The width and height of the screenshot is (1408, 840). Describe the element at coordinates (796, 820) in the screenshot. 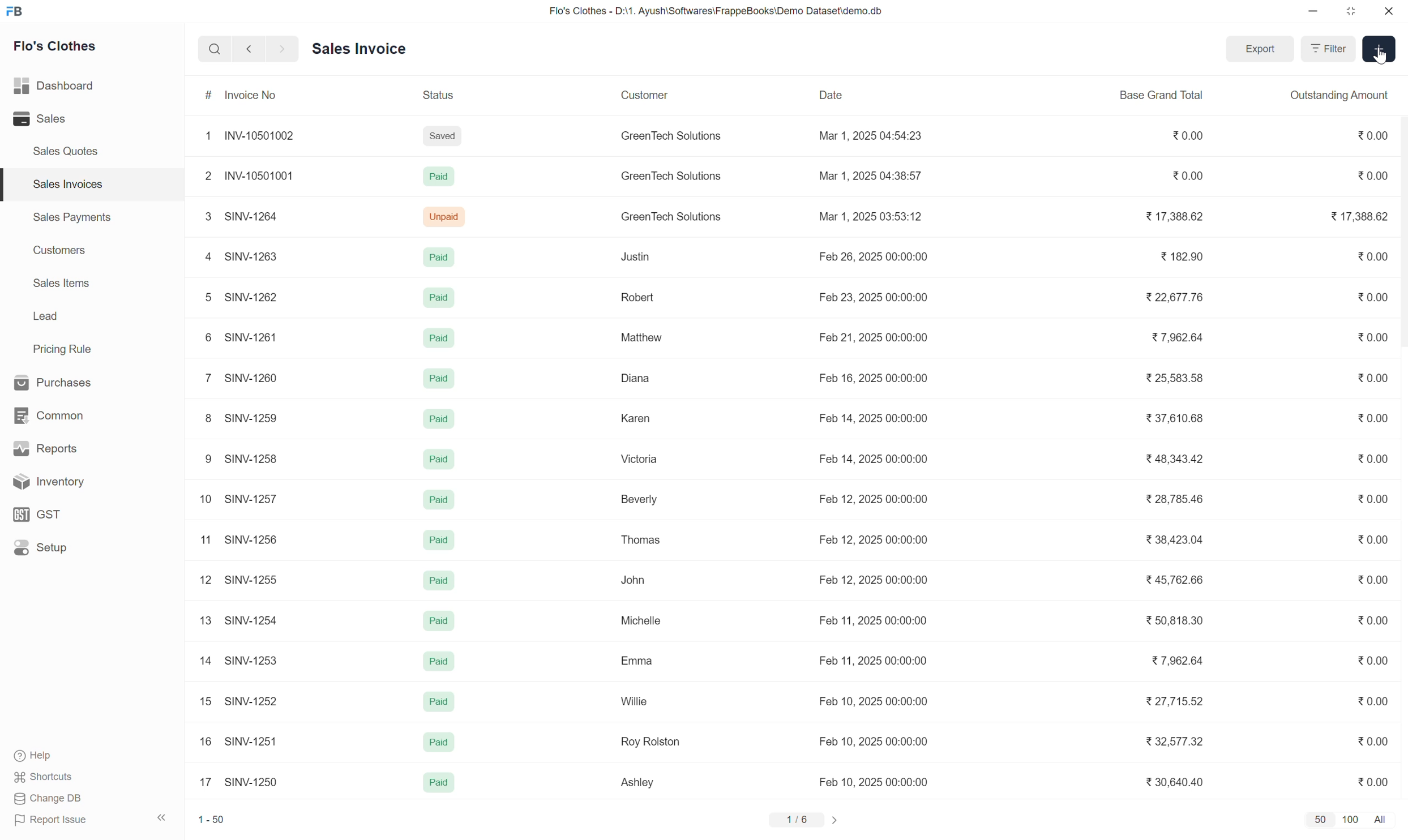

I see `current page 1/6` at that location.